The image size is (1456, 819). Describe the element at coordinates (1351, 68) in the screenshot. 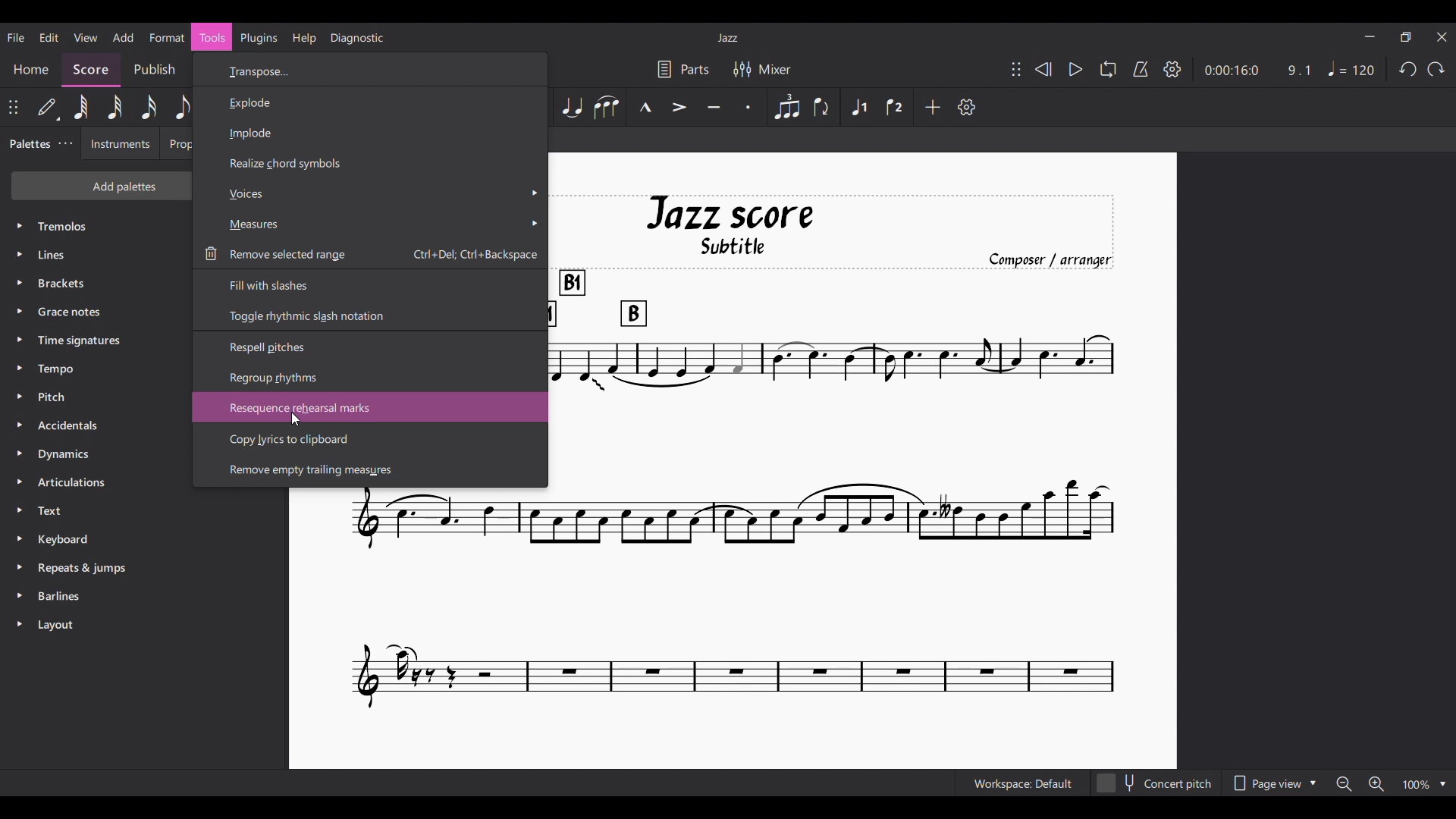

I see `Tempo` at that location.